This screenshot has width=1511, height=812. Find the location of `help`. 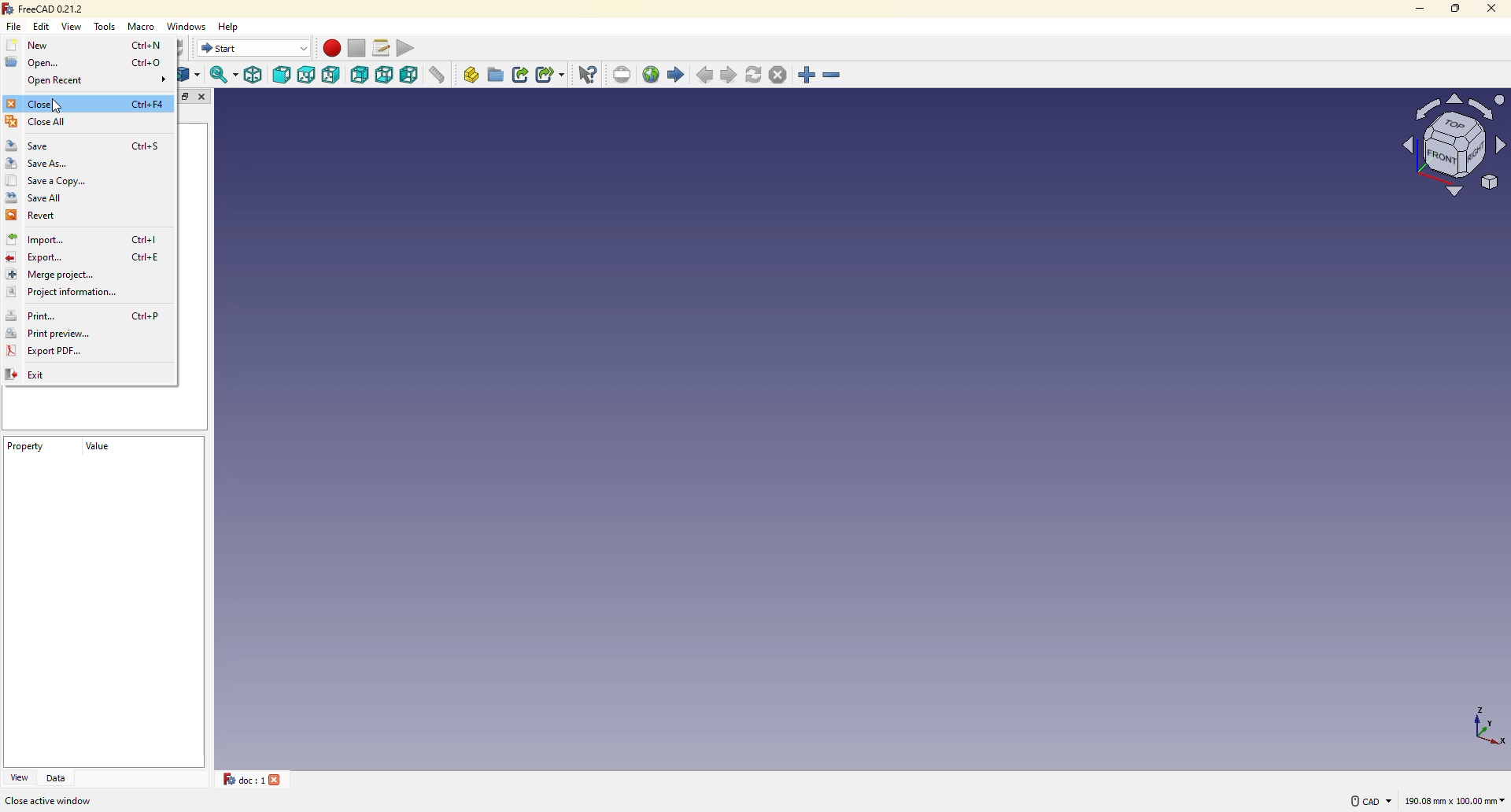

help is located at coordinates (233, 25).